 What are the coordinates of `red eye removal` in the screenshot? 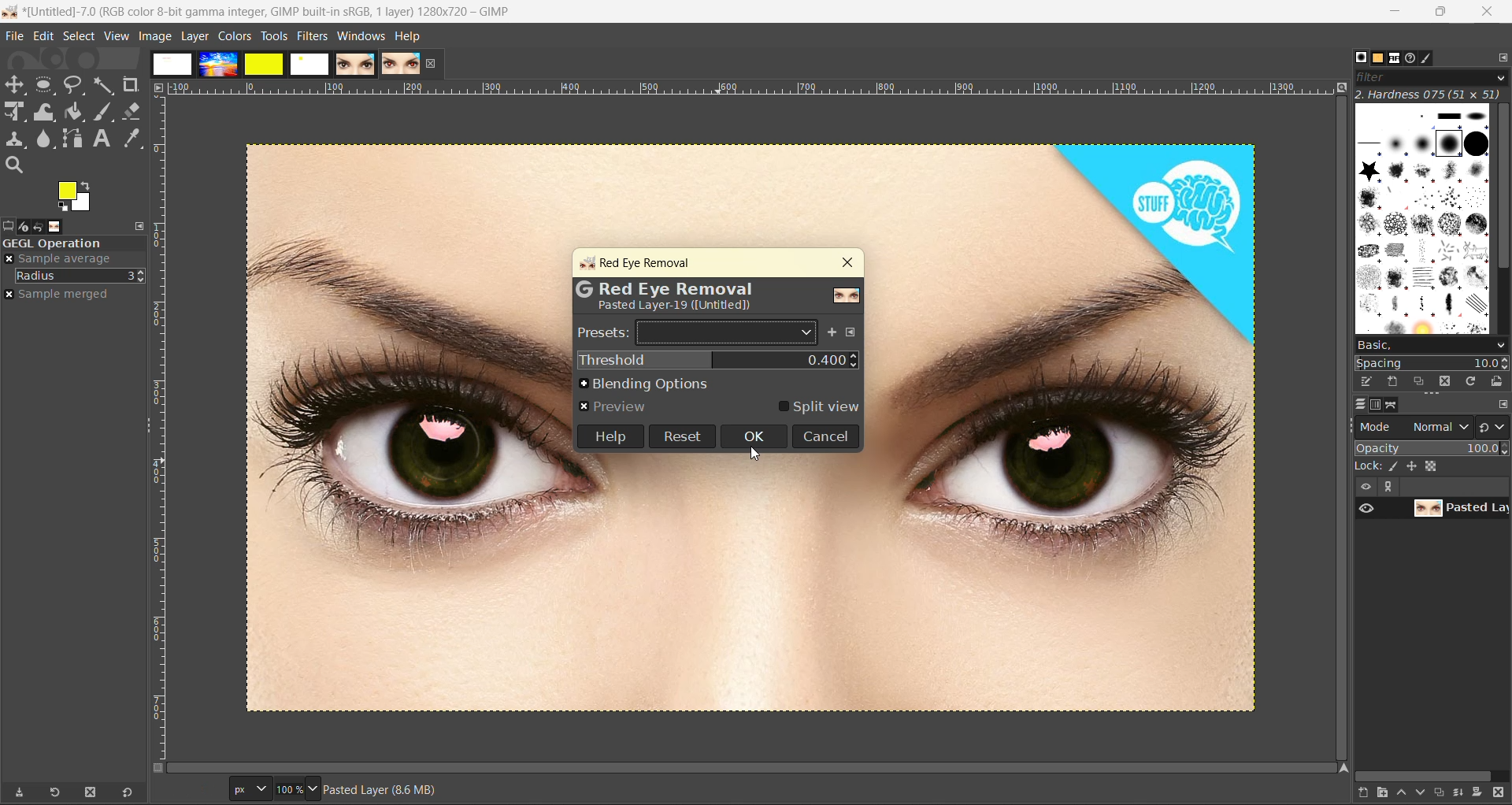 It's located at (639, 263).